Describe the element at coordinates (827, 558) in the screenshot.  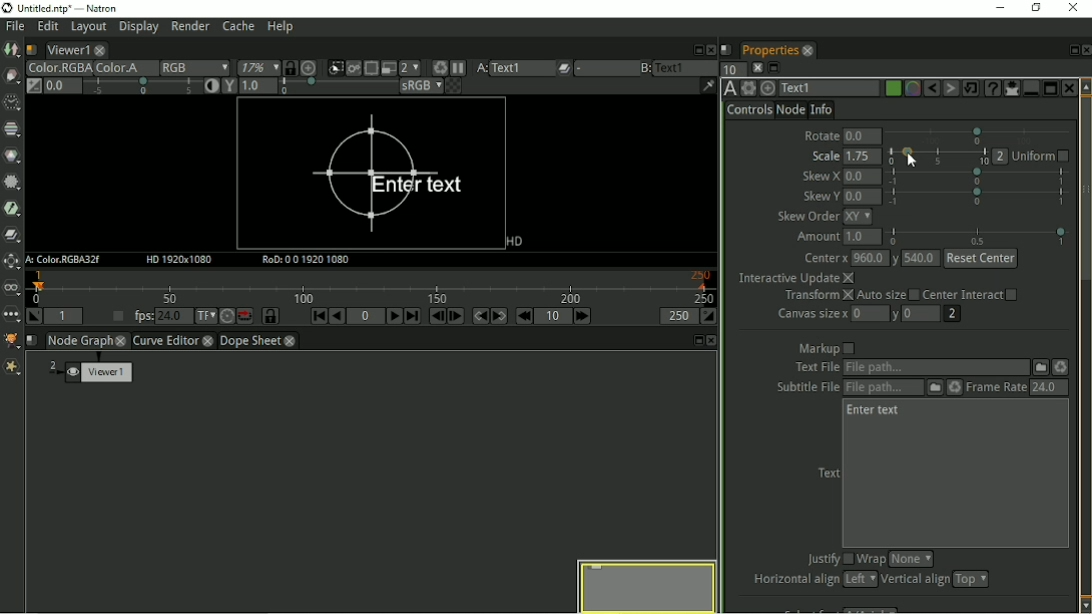
I see `Justify` at that location.